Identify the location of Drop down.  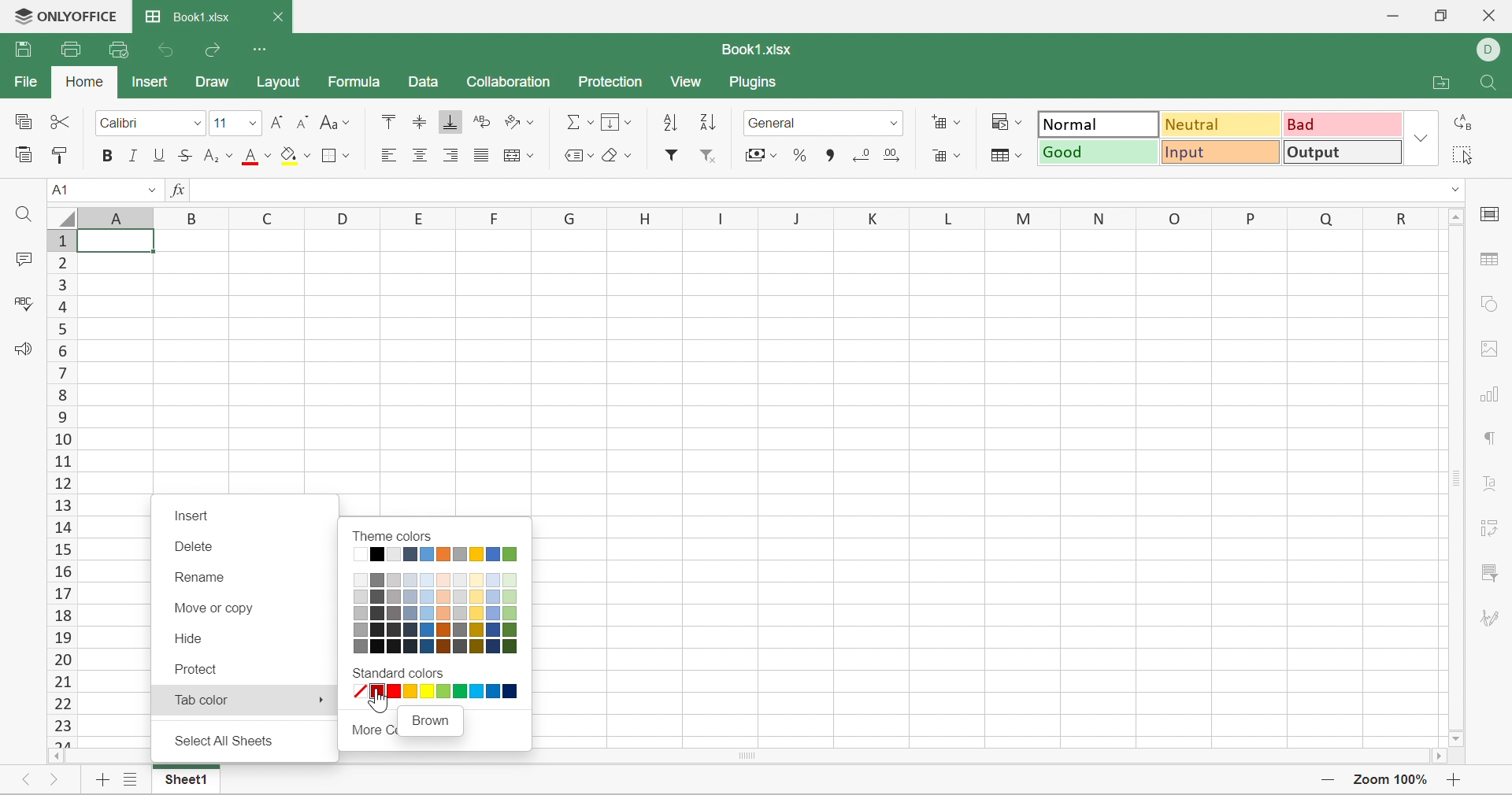
(1456, 190).